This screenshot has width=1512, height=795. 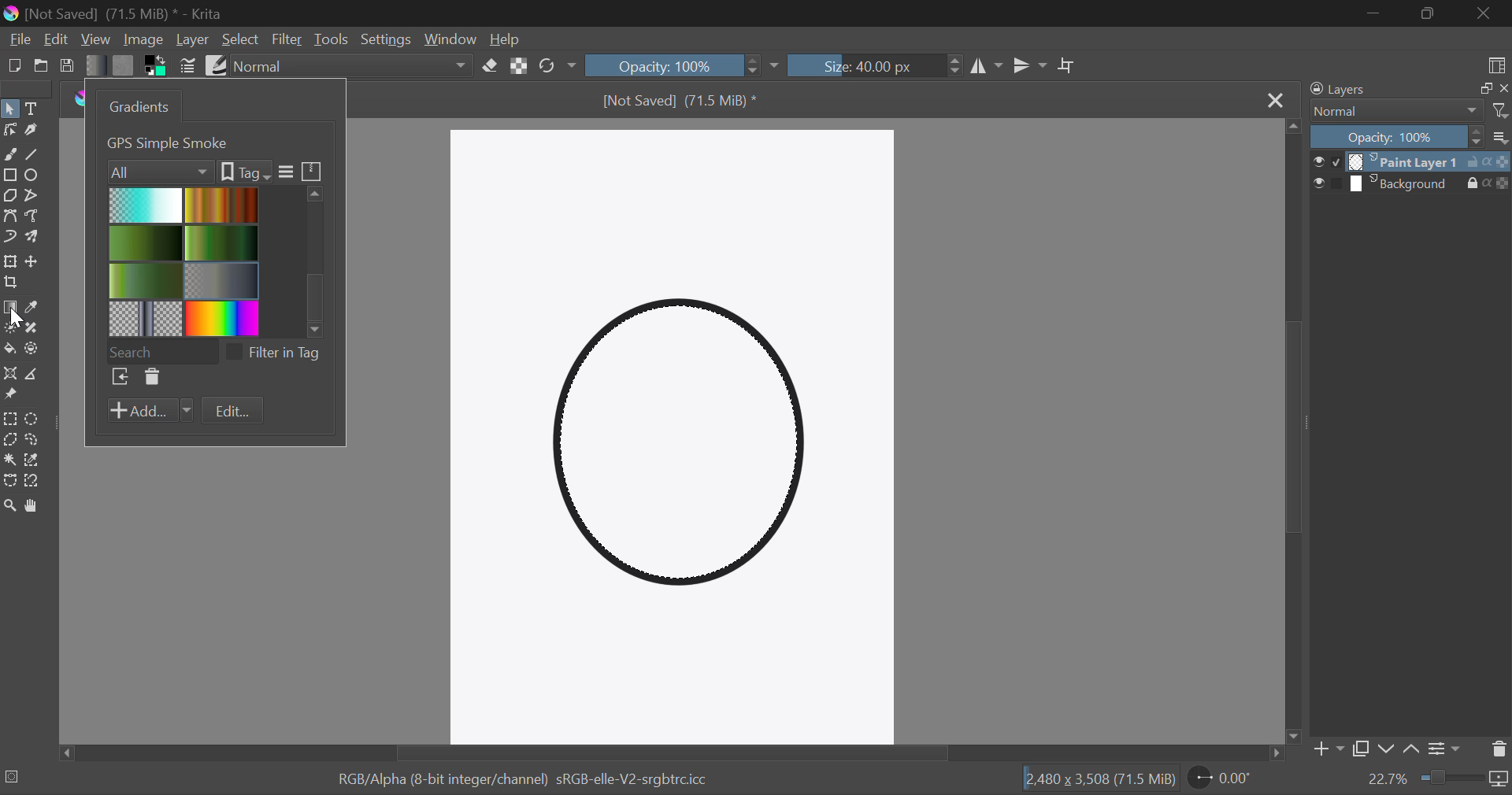 What do you see at coordinates (34, 238) in the screenshot?
I see `Multibrush` at bounding box center [34, 238].